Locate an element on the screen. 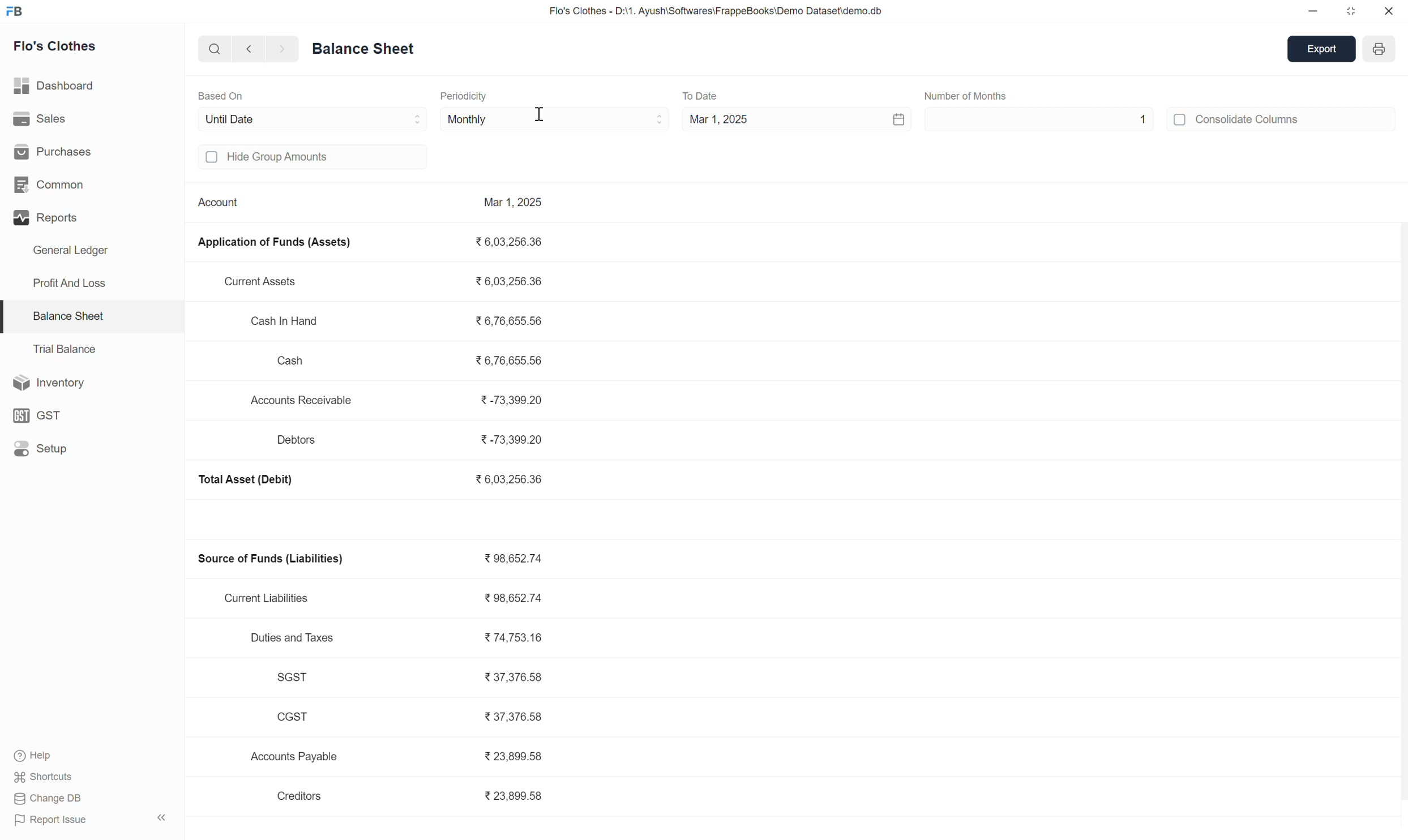 The width and height of the screenshot is (1408, 840). forward is located at coordinates (277, 49).